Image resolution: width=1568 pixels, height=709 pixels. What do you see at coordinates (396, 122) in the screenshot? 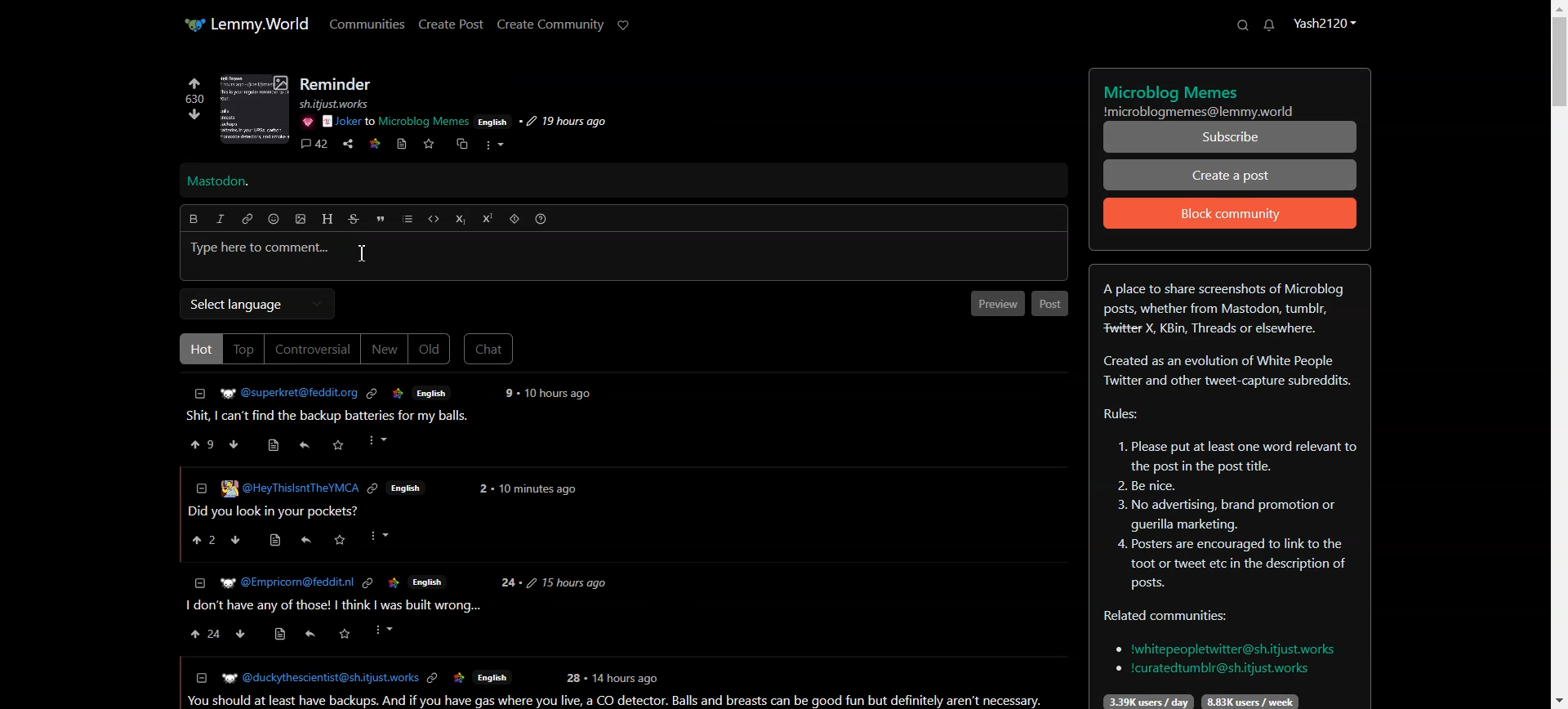
I see `` at bounding box center [396, 122].